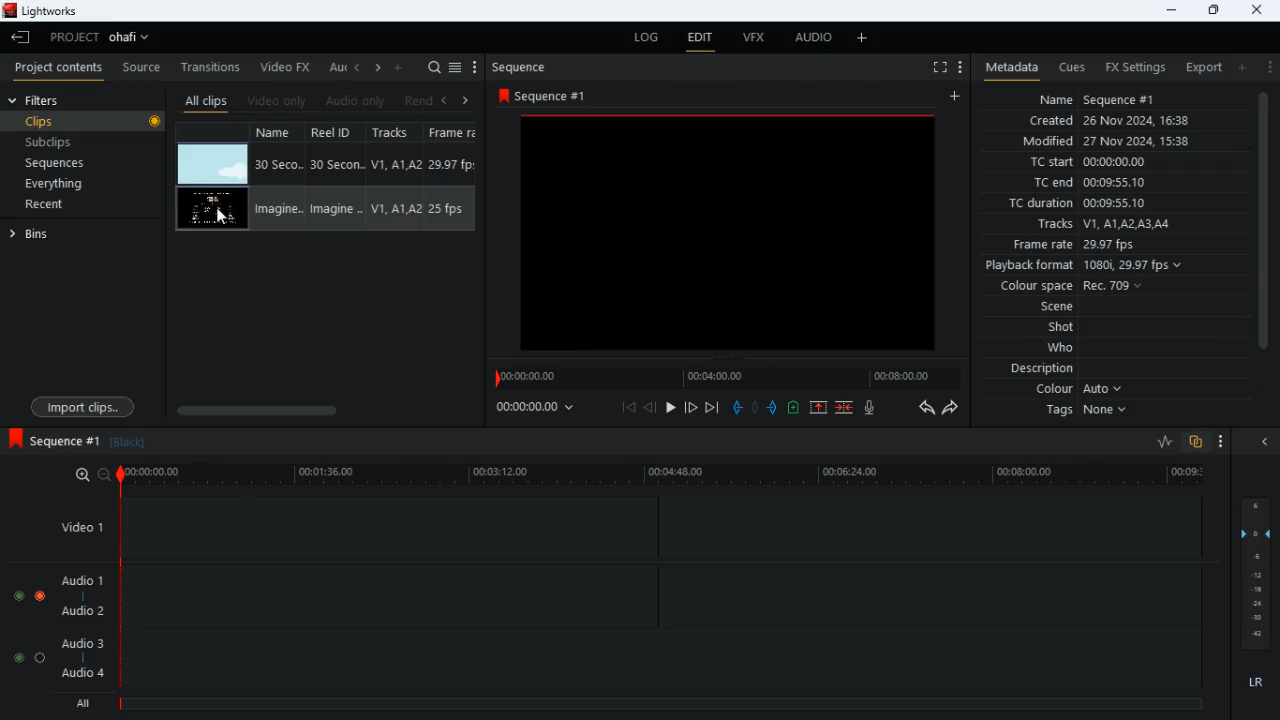 The height and width of the screenshot is (720, 1280). I want to click on audio, so click(816, 37).